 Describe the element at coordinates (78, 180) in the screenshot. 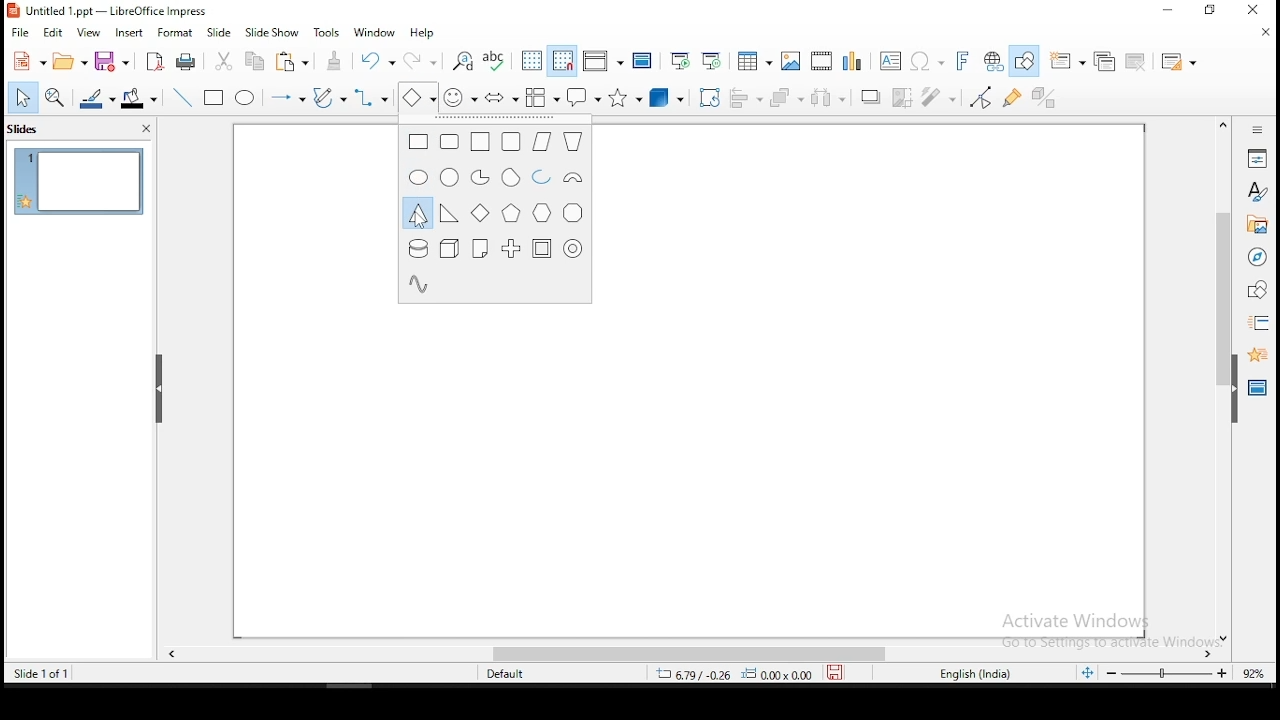

I see `slide` at that location.